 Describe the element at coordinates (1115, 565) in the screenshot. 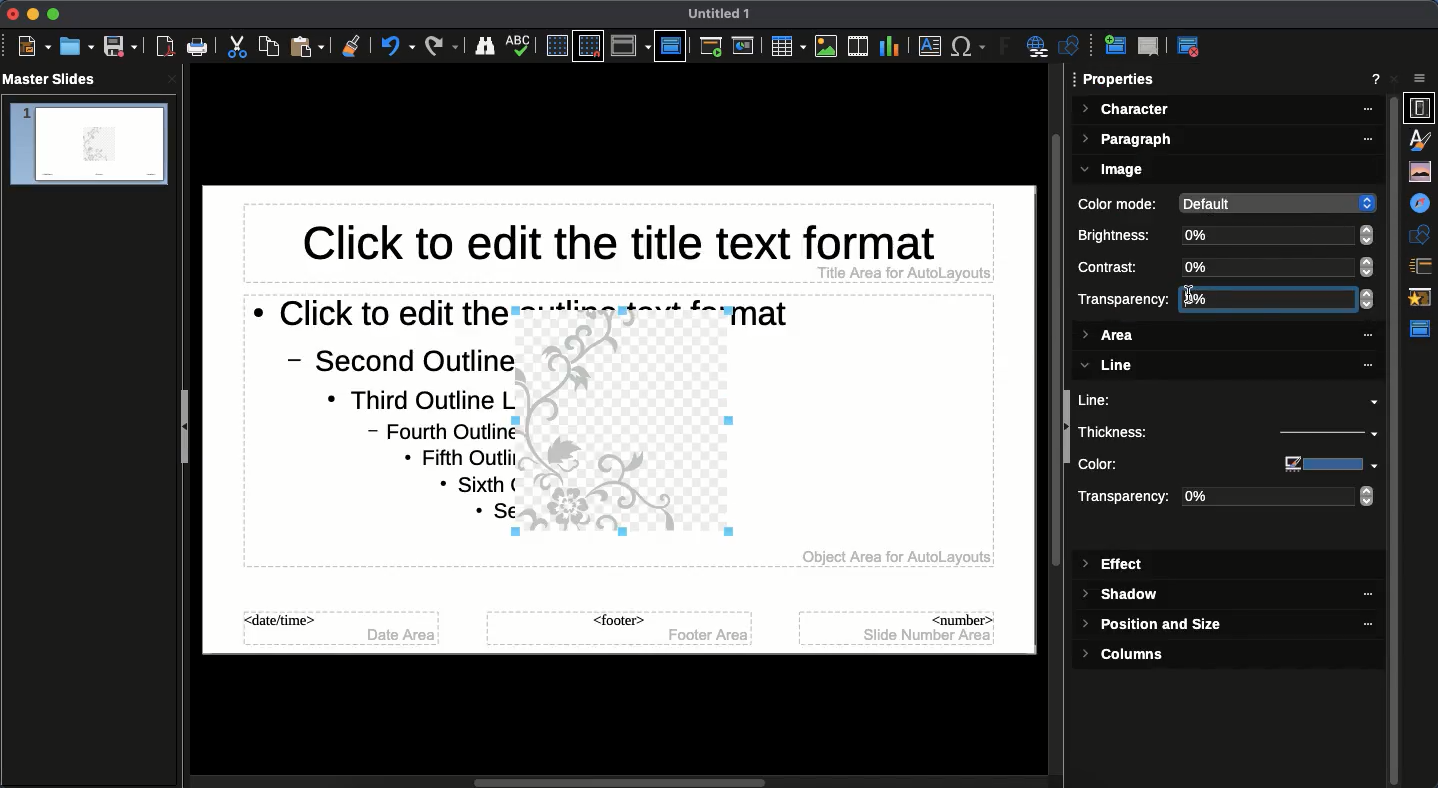

I see `Effect` at that location.